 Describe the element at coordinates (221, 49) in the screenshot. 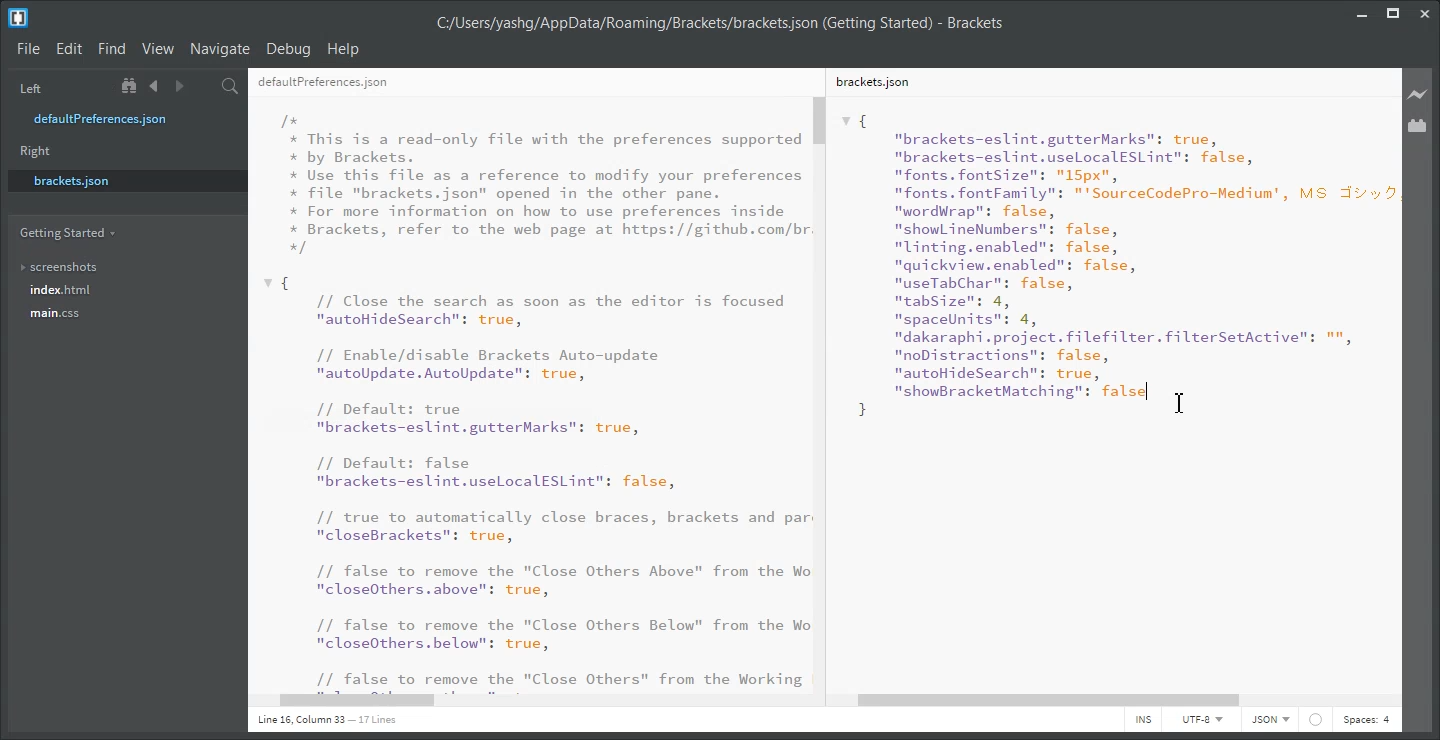

I see `Navigate` at that location.